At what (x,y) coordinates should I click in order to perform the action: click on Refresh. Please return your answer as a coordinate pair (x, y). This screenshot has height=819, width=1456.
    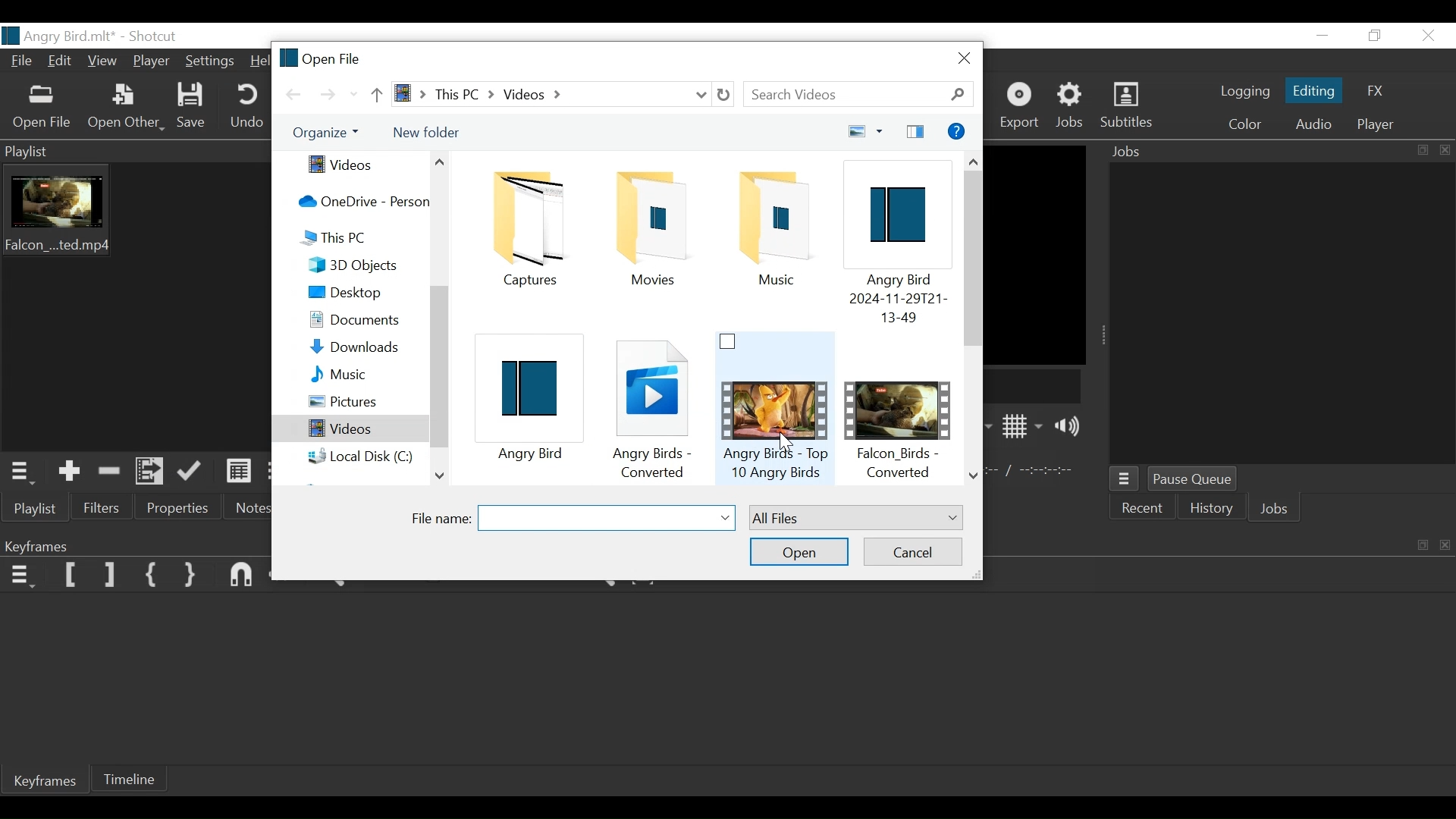
    Looking at the image, I should click on (723, 94).